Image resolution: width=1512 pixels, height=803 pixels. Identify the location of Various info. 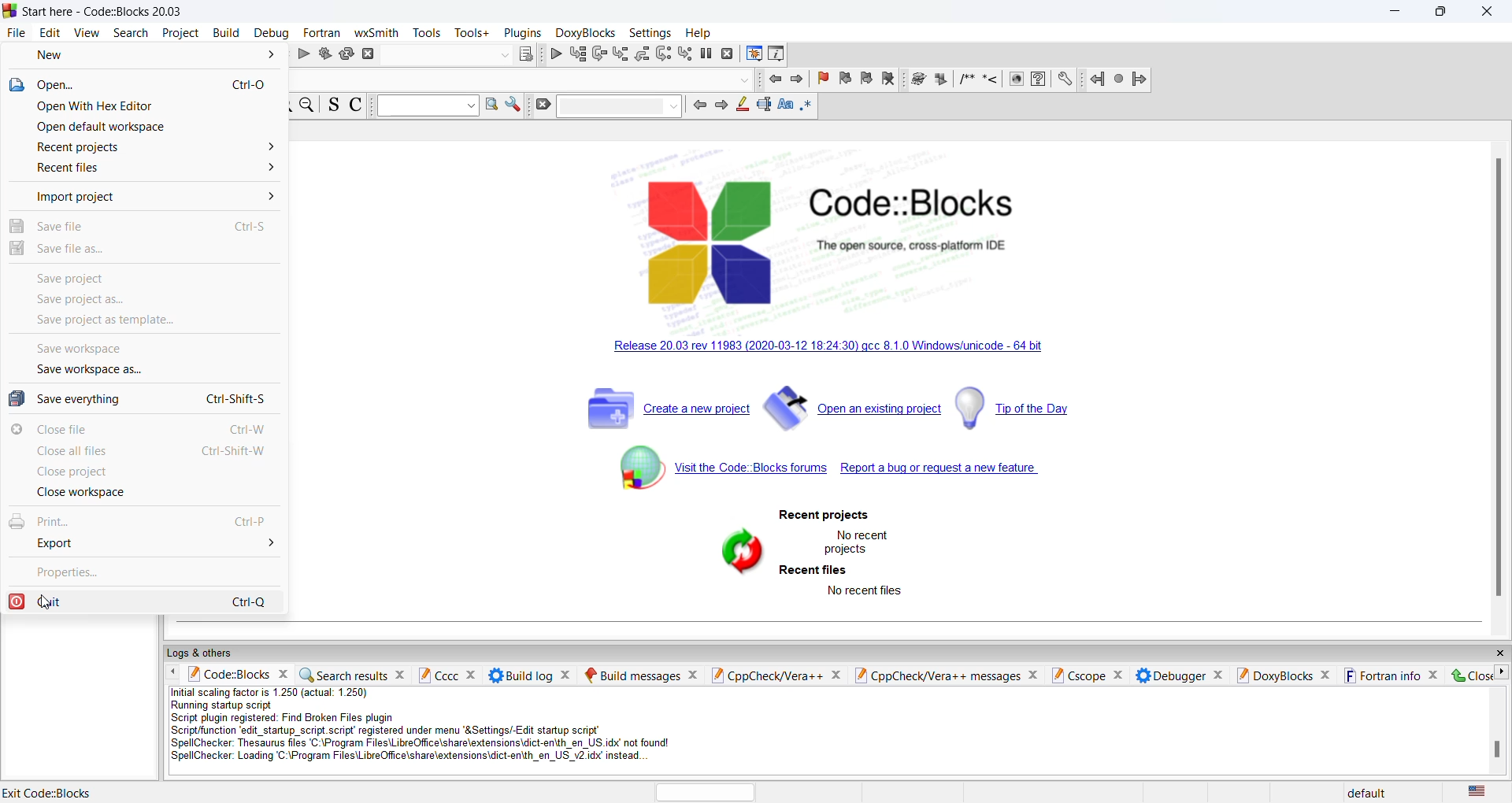
(779, 55).